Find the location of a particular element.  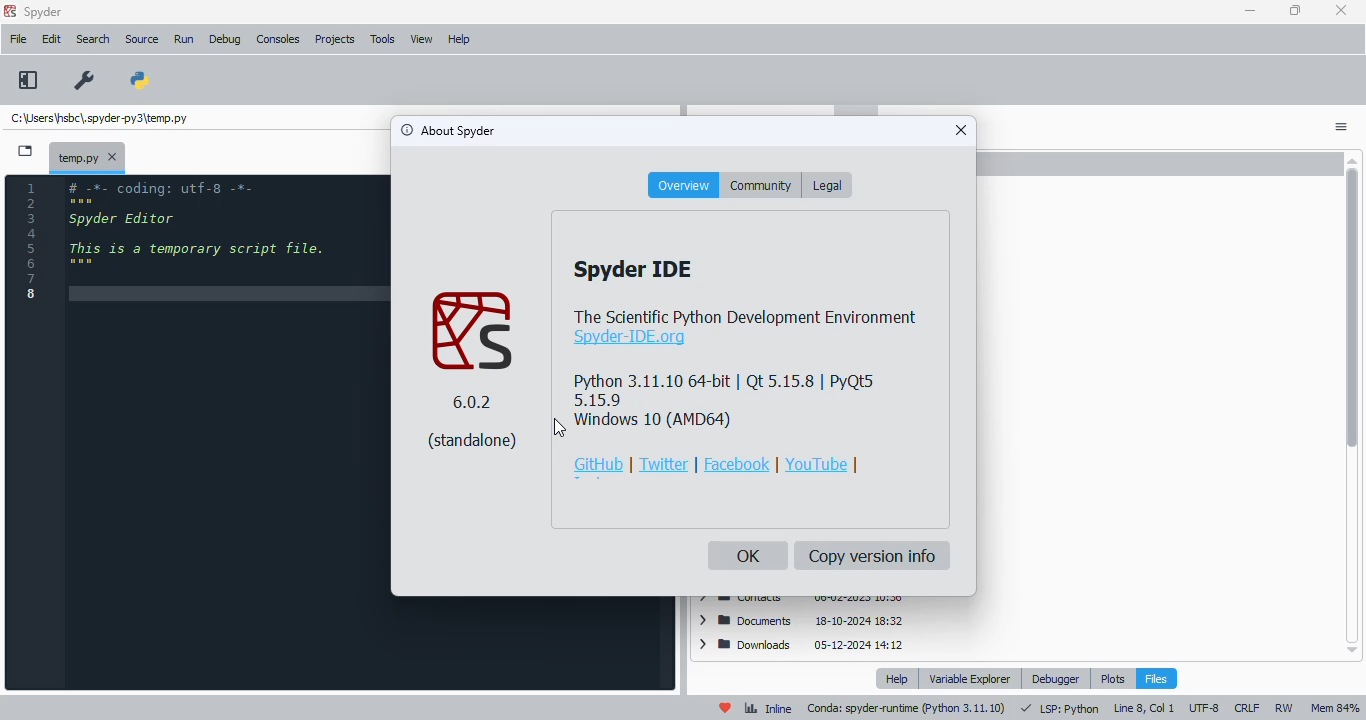

CRLF is located at coordinates (1246, 708).